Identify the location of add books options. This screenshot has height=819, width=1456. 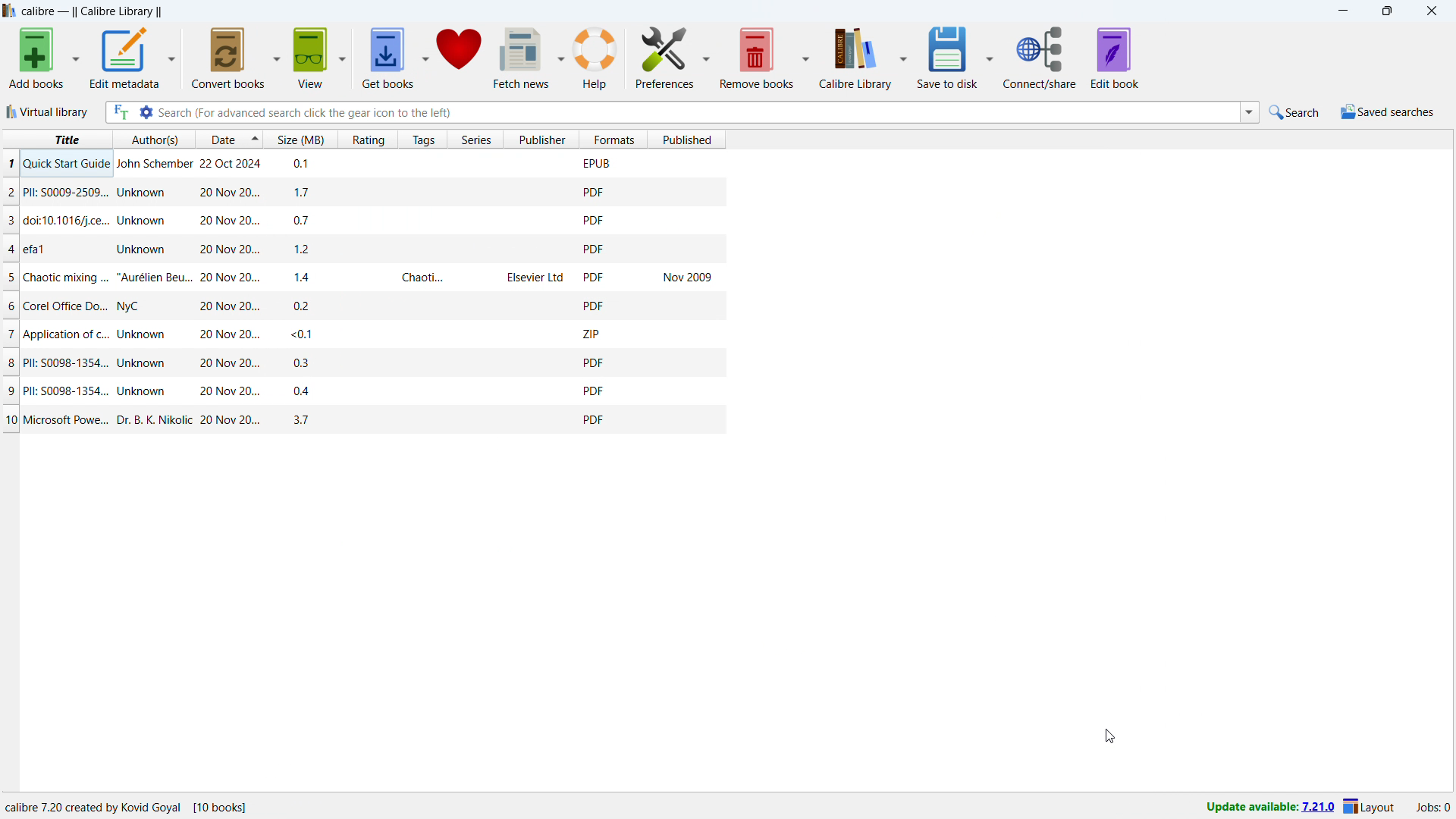
(76, 57).